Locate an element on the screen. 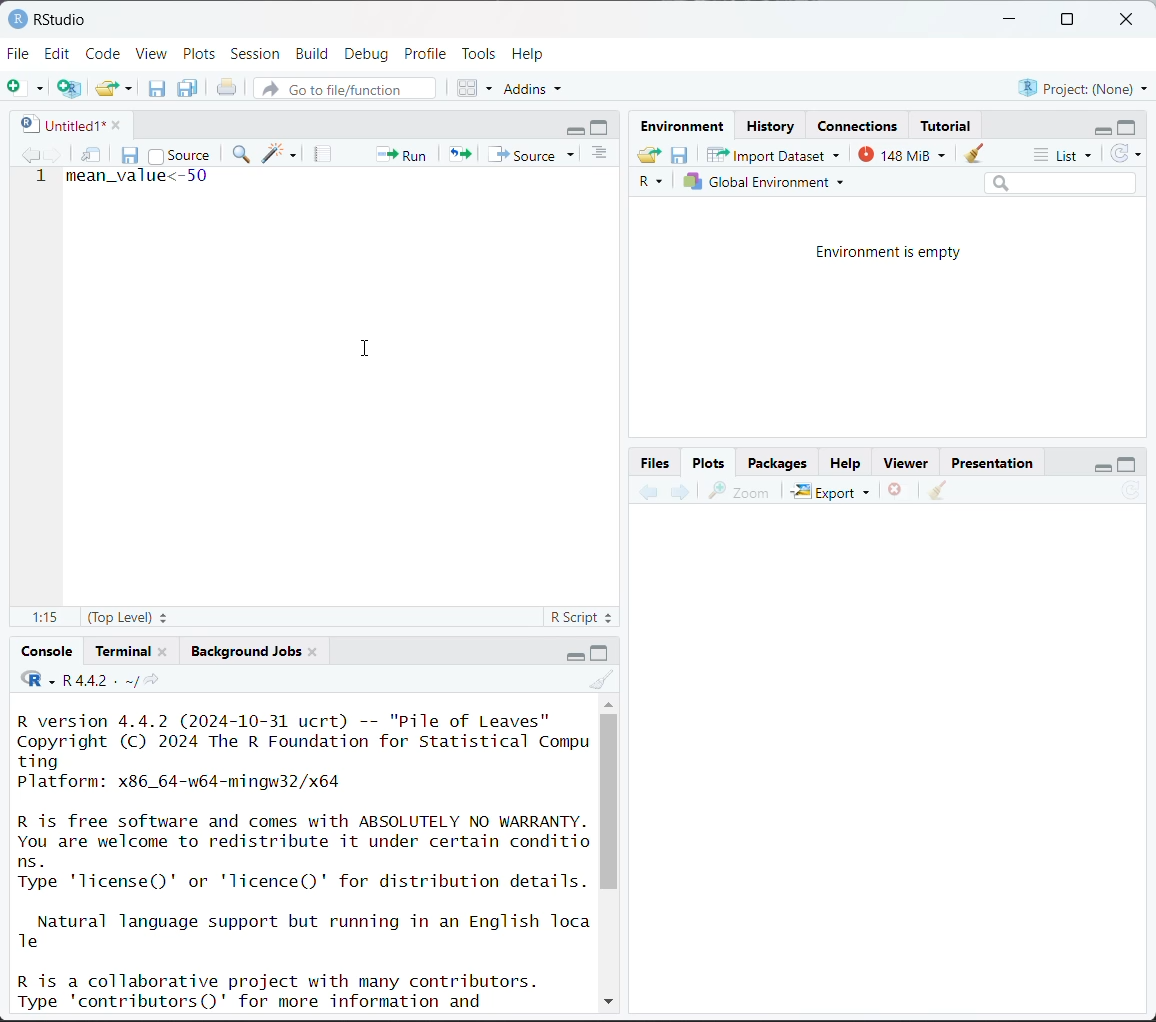 Image resolution: width=1156 pixels, height=1022 pixels. Terminal is located at coordinates (125, 648).